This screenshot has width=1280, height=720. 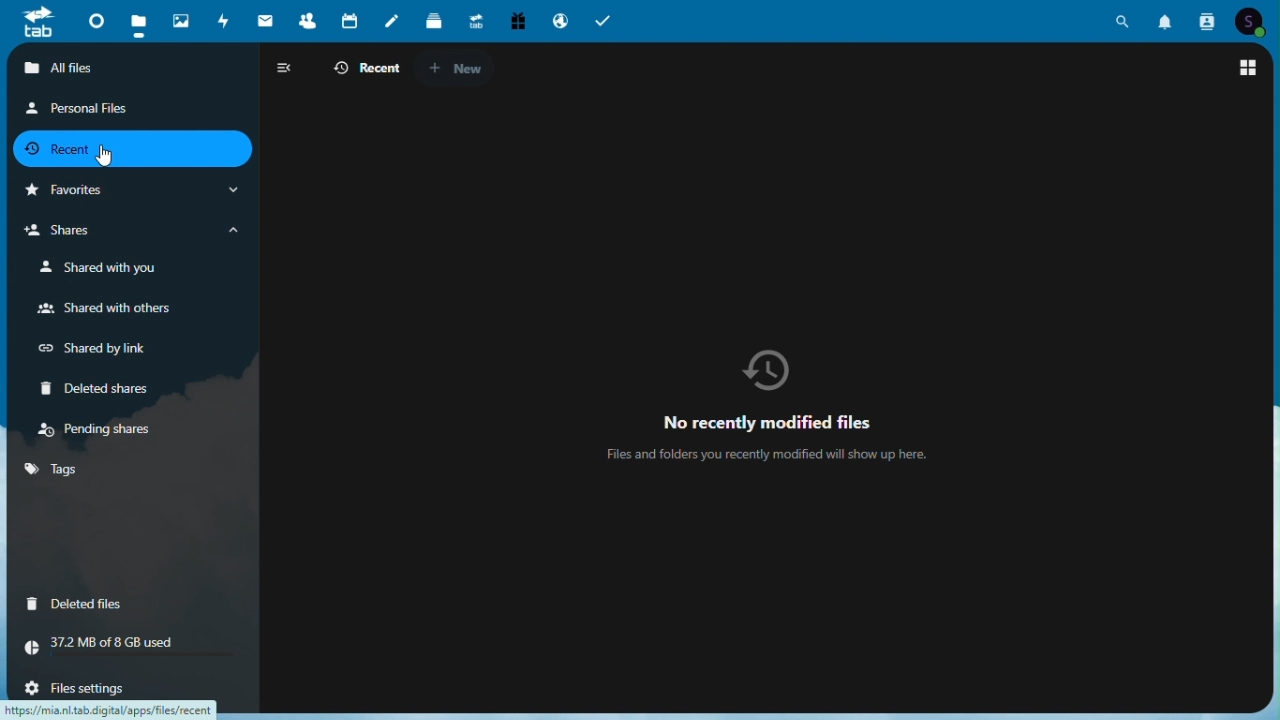 What do you see at coordinates (391, 22) in the screenshot?
I see `notes` at bounding box center [391, 22].